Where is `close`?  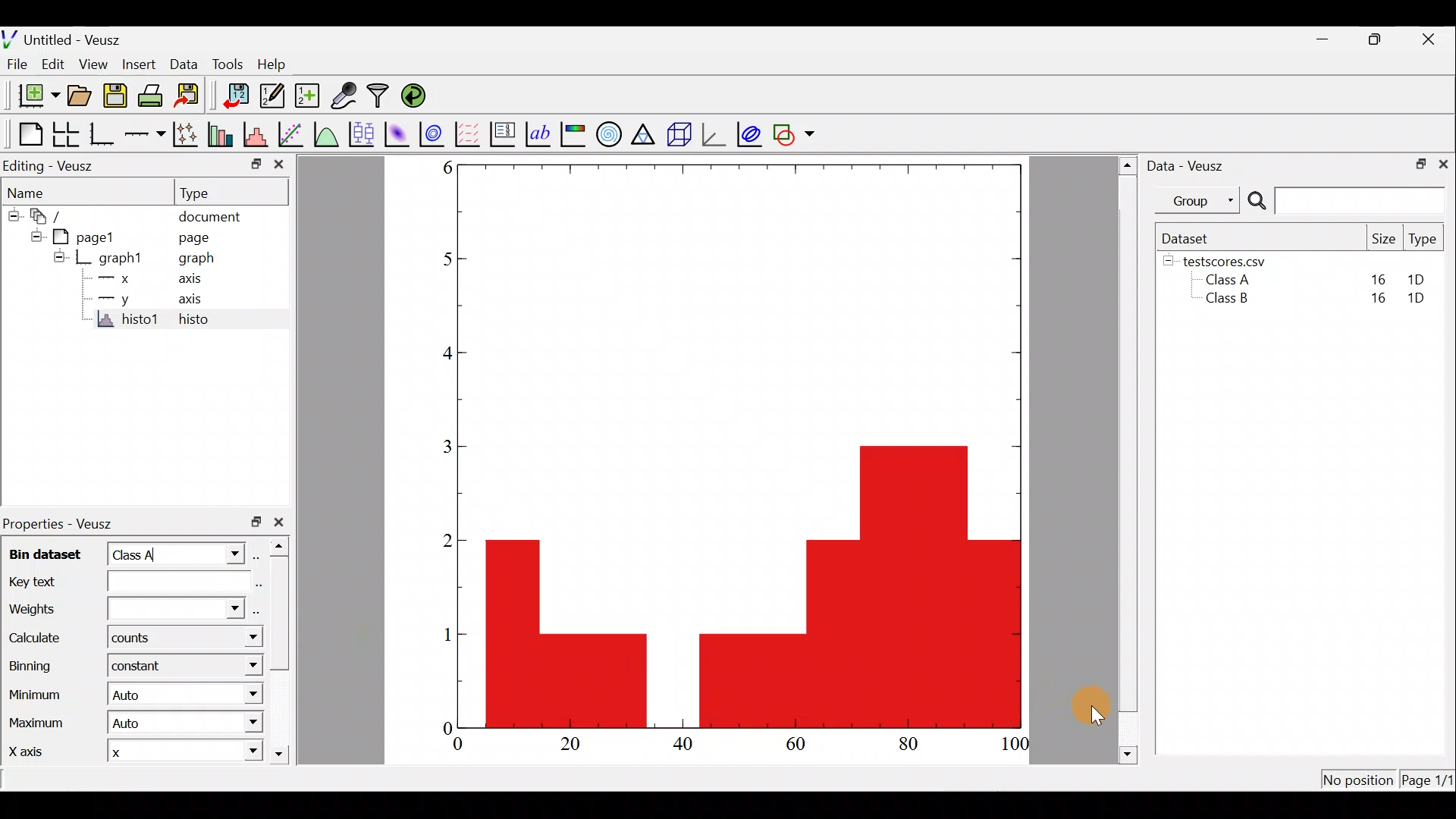
close is located at coordinates (278, 165).